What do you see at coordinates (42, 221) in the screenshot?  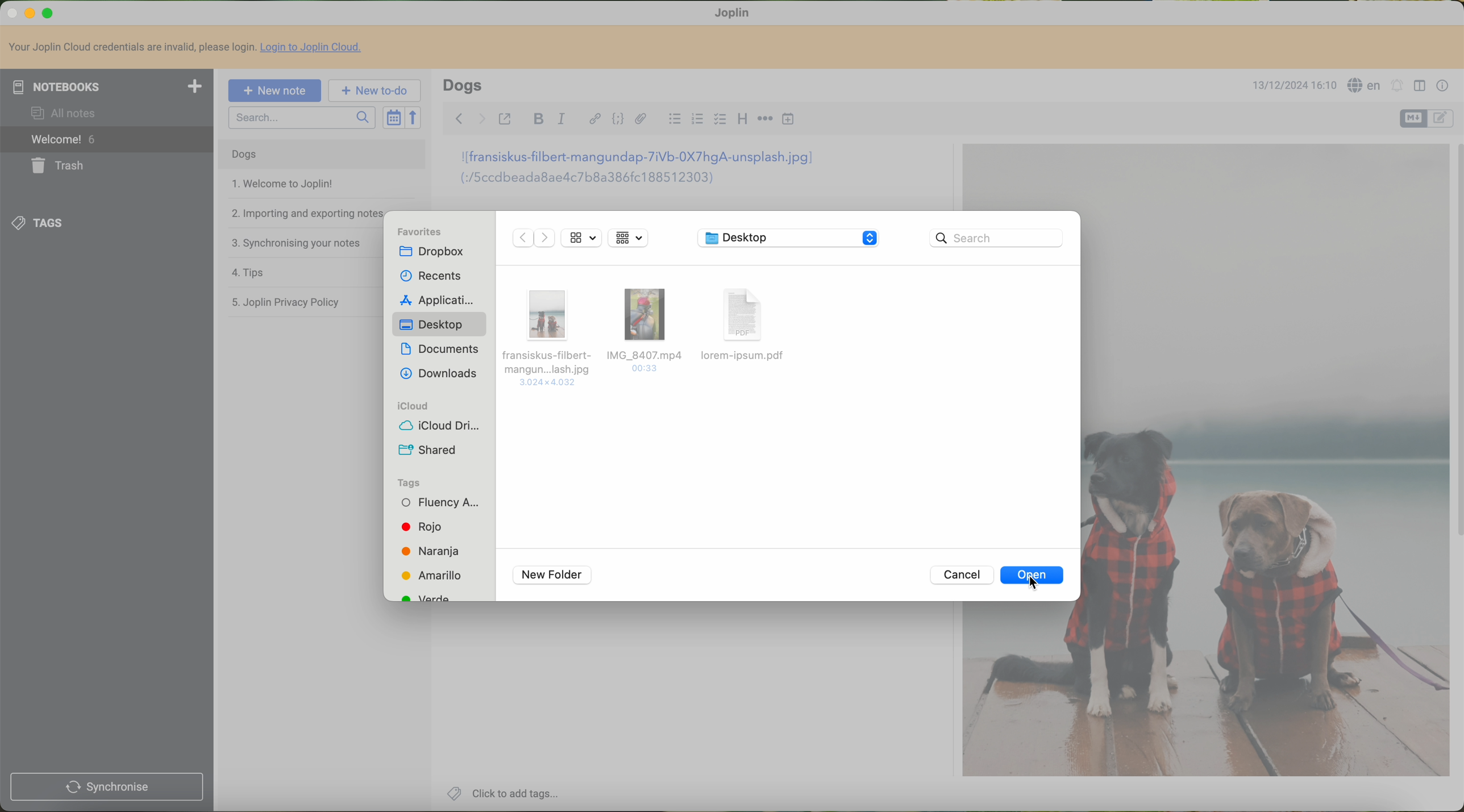 I see `tags` at bounding box center [42, 221].